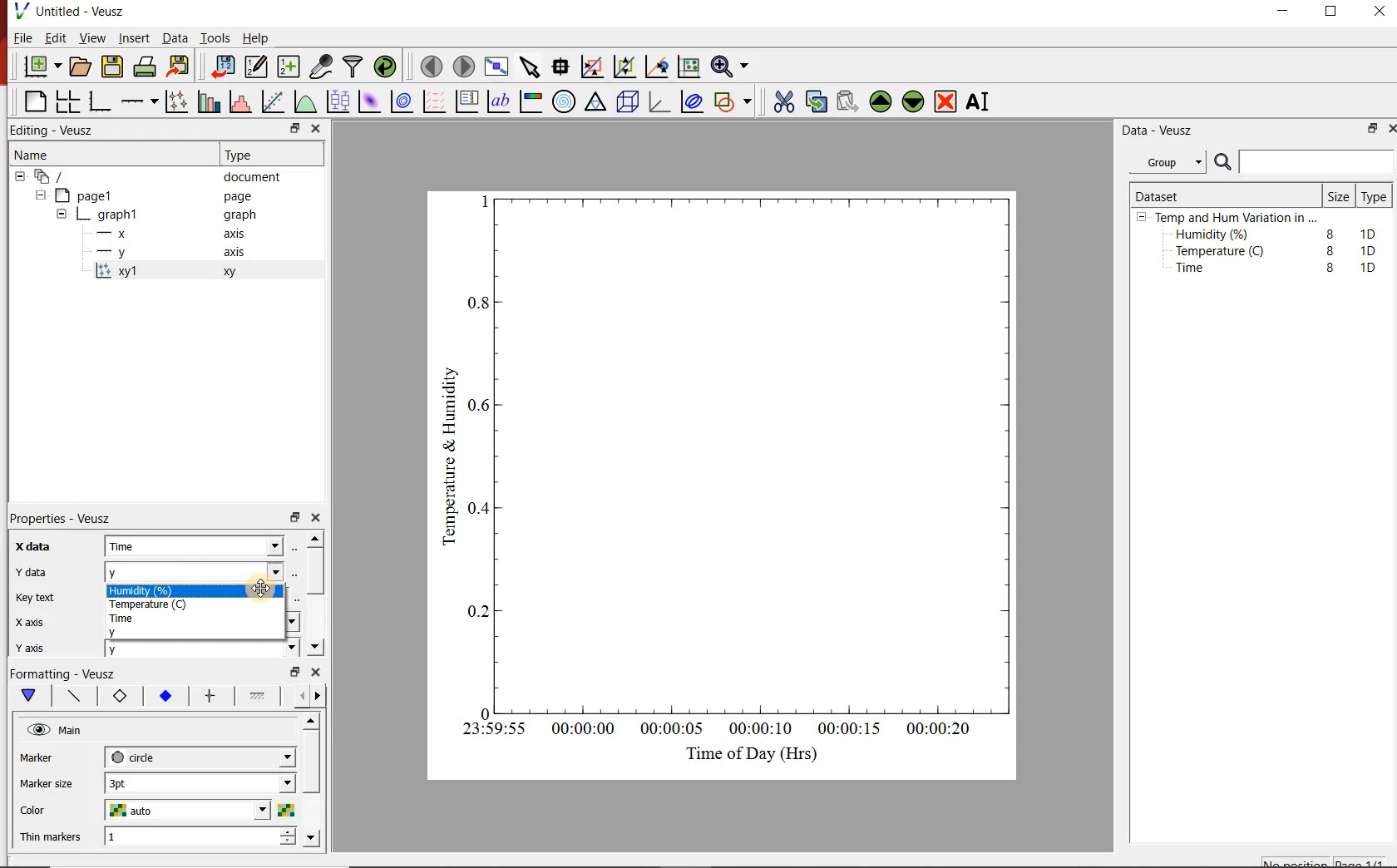 The width and height of the screenshot is (1397, 868). I want to click on Size, so click(1337, 195).